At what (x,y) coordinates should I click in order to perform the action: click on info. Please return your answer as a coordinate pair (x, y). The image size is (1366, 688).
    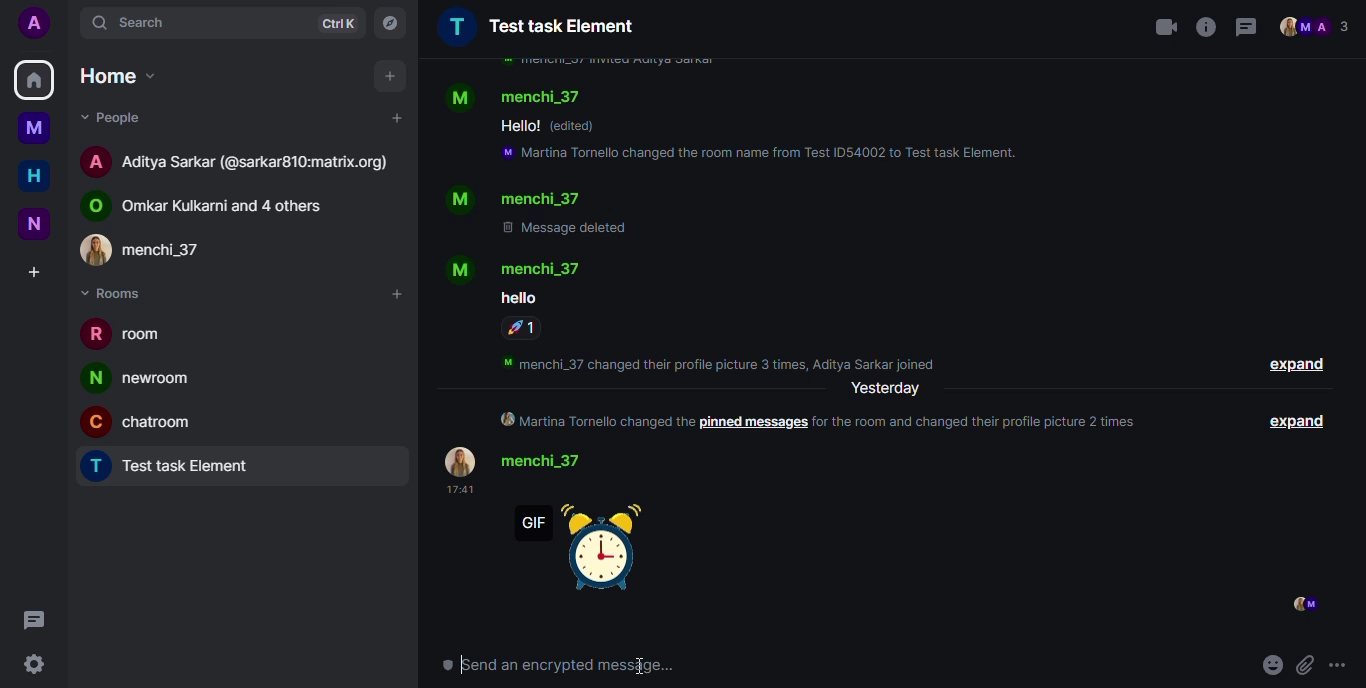
    Looking at the image, I should click on (1206, 26).